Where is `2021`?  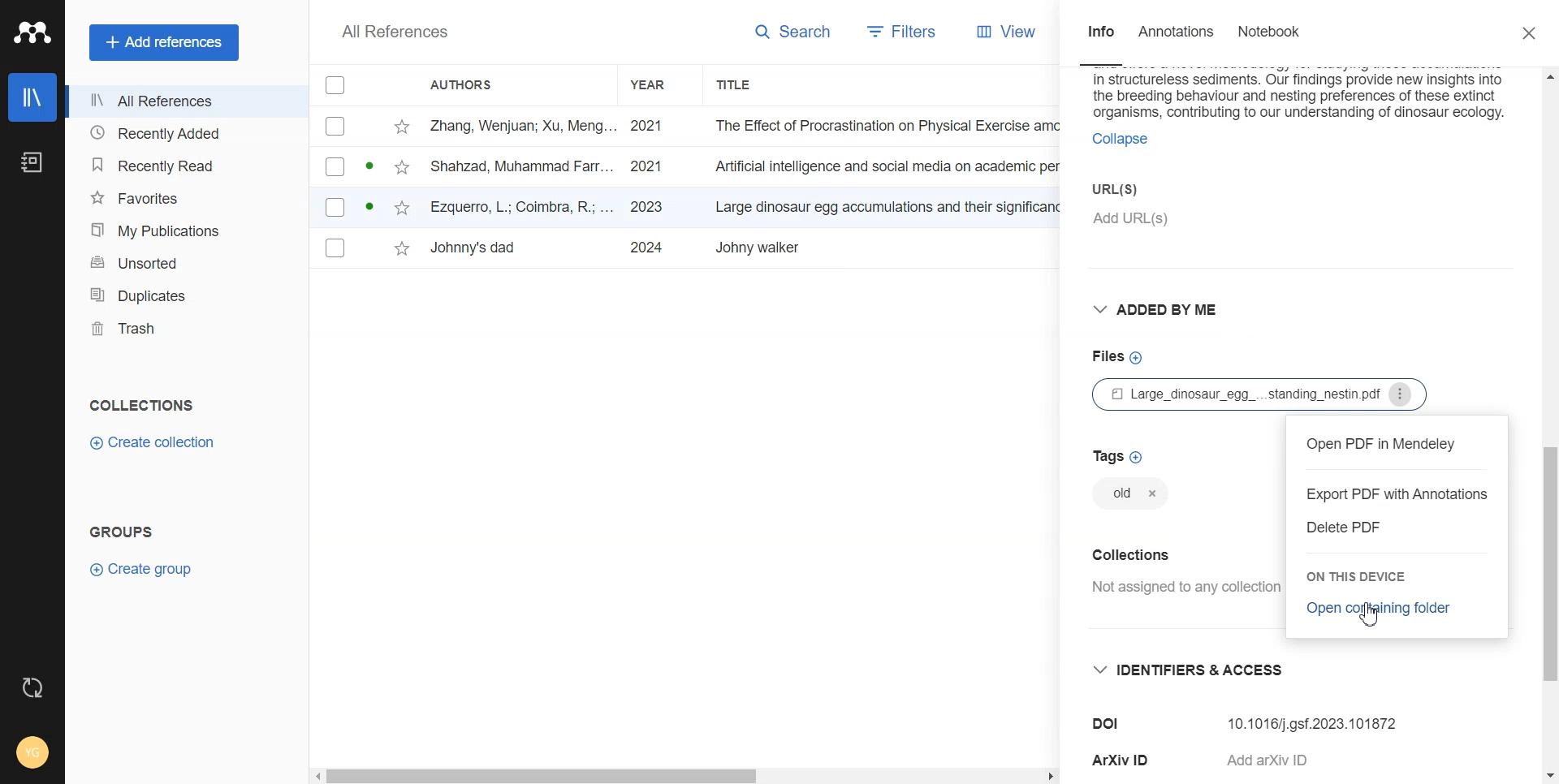
2021 is located at coordinates (644, 166).